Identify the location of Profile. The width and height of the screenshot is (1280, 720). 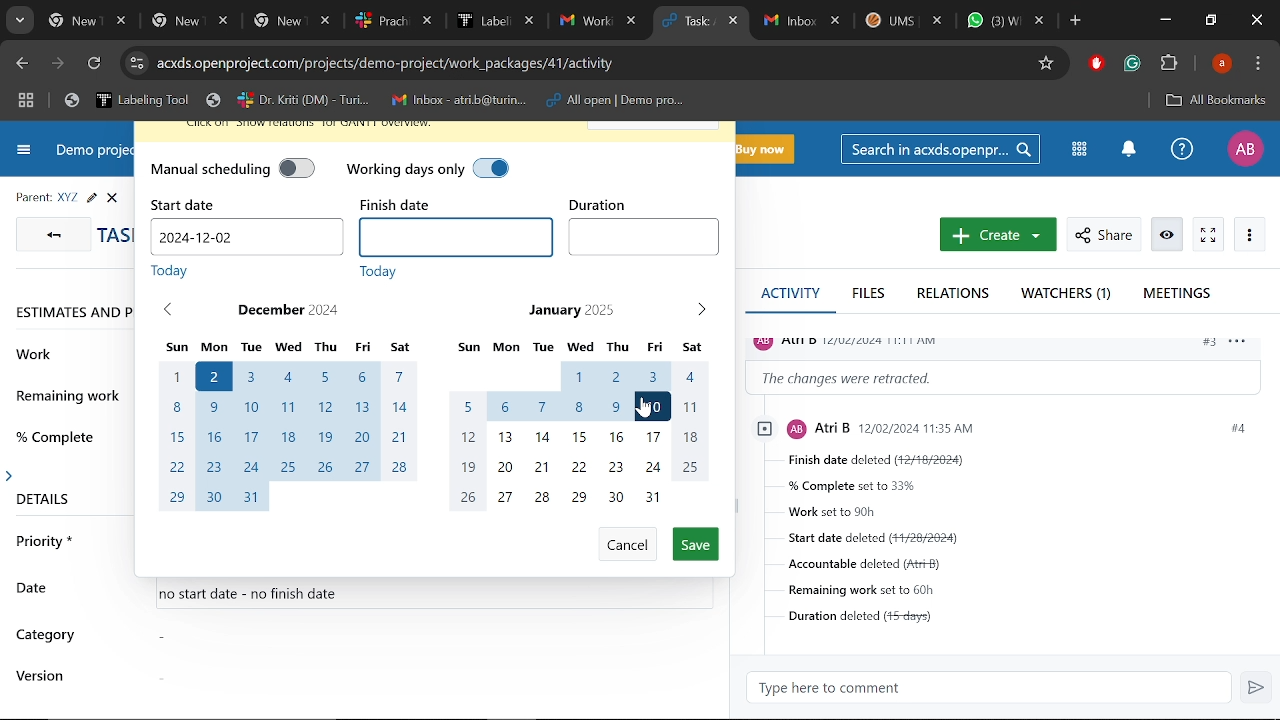
(1224, 63).